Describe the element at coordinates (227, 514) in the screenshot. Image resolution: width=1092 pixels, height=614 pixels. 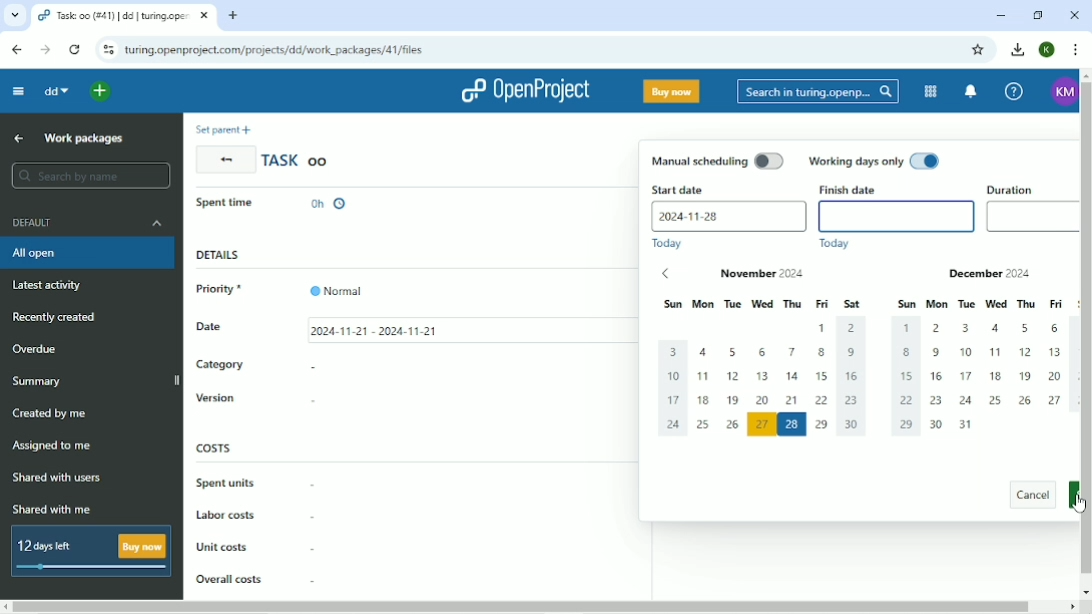
I see `Labor costs` at that location.